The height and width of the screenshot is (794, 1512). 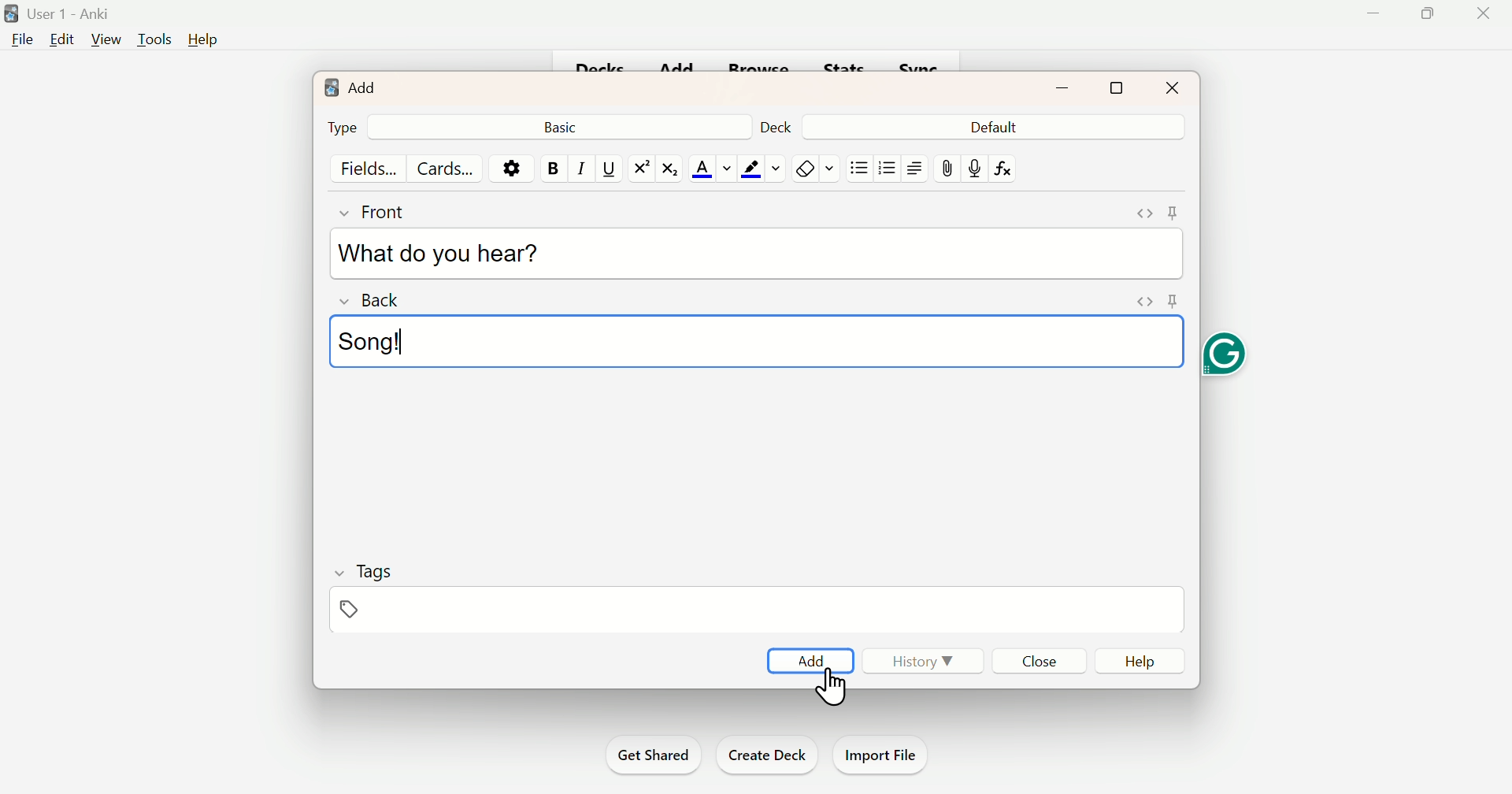 What do you see at coordinates (508, 169) in the screenshot?
I see `Options` at bounding box center [508, 169].